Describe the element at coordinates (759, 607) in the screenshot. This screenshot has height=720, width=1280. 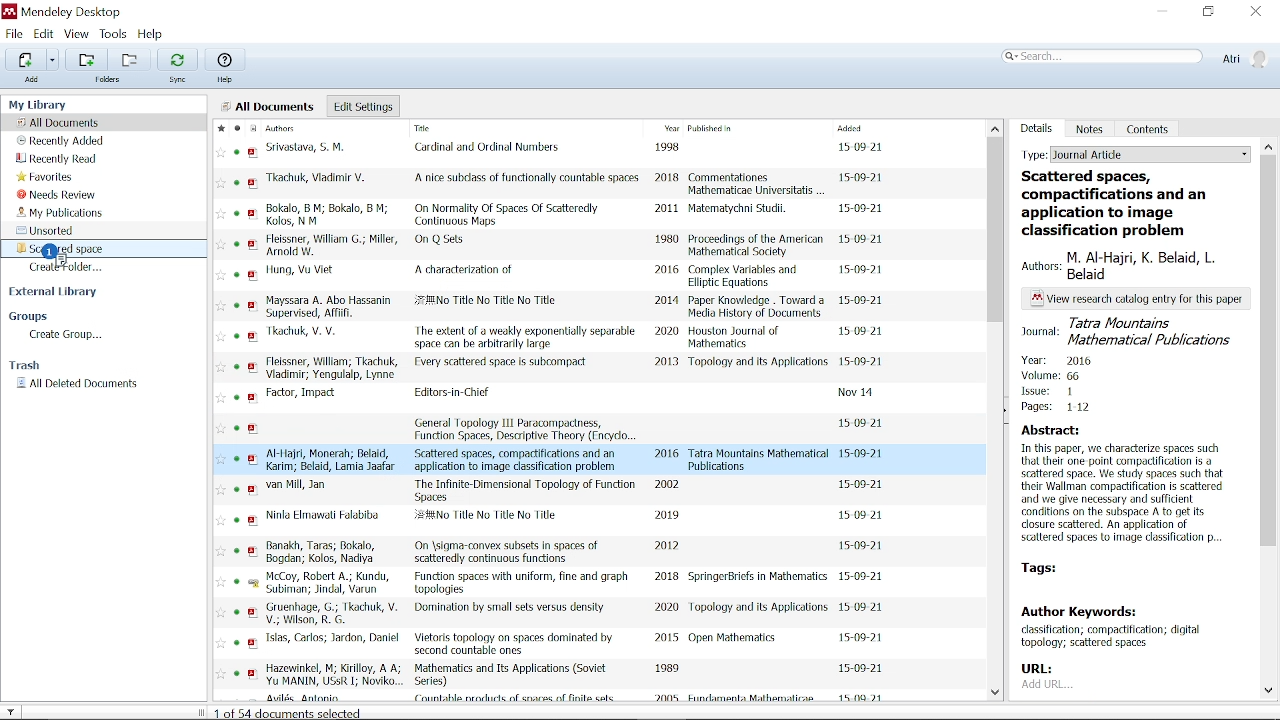
I see `Topology and its Applications` at that location.